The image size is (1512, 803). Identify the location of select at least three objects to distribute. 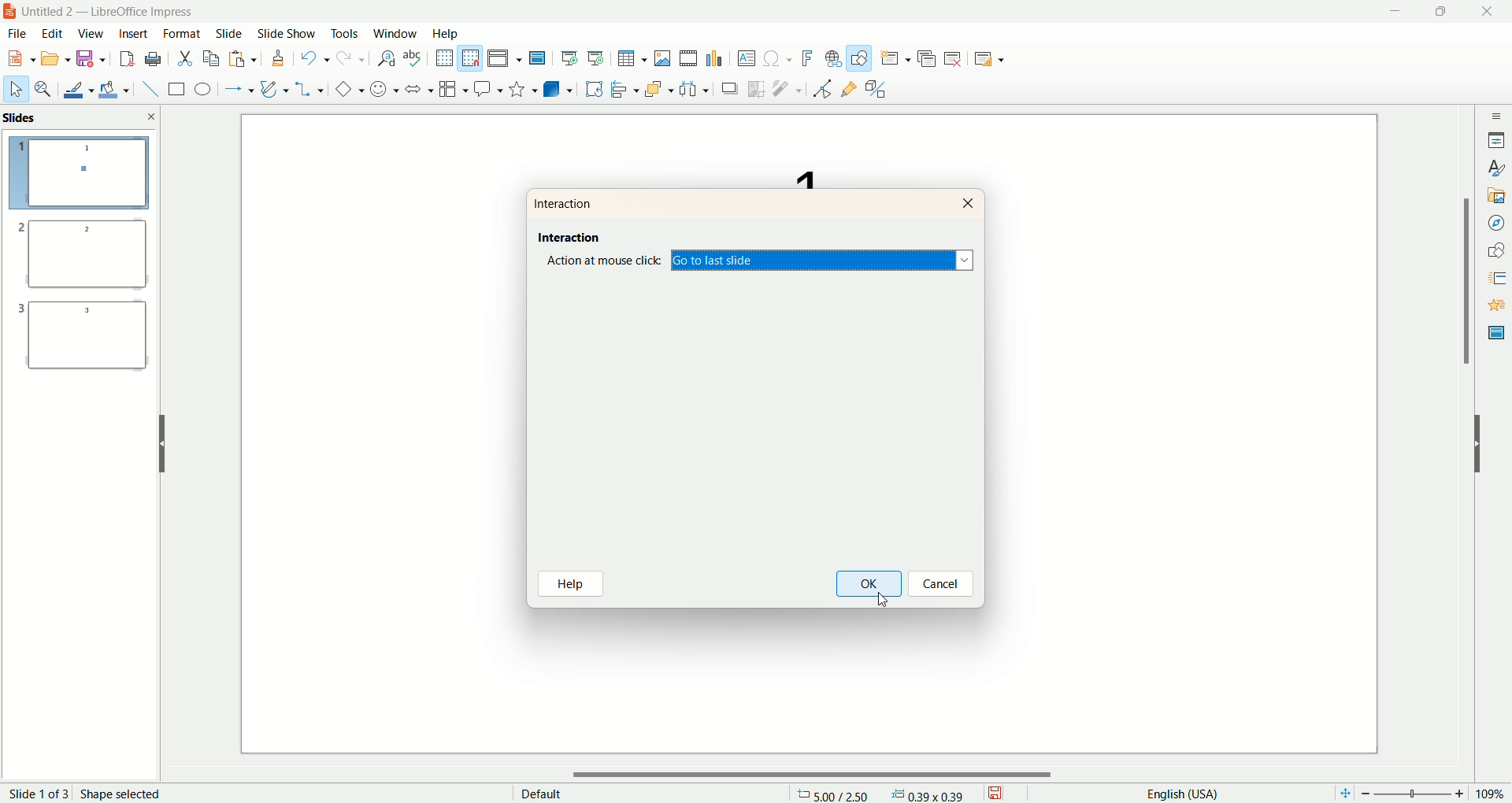
(694, 87).